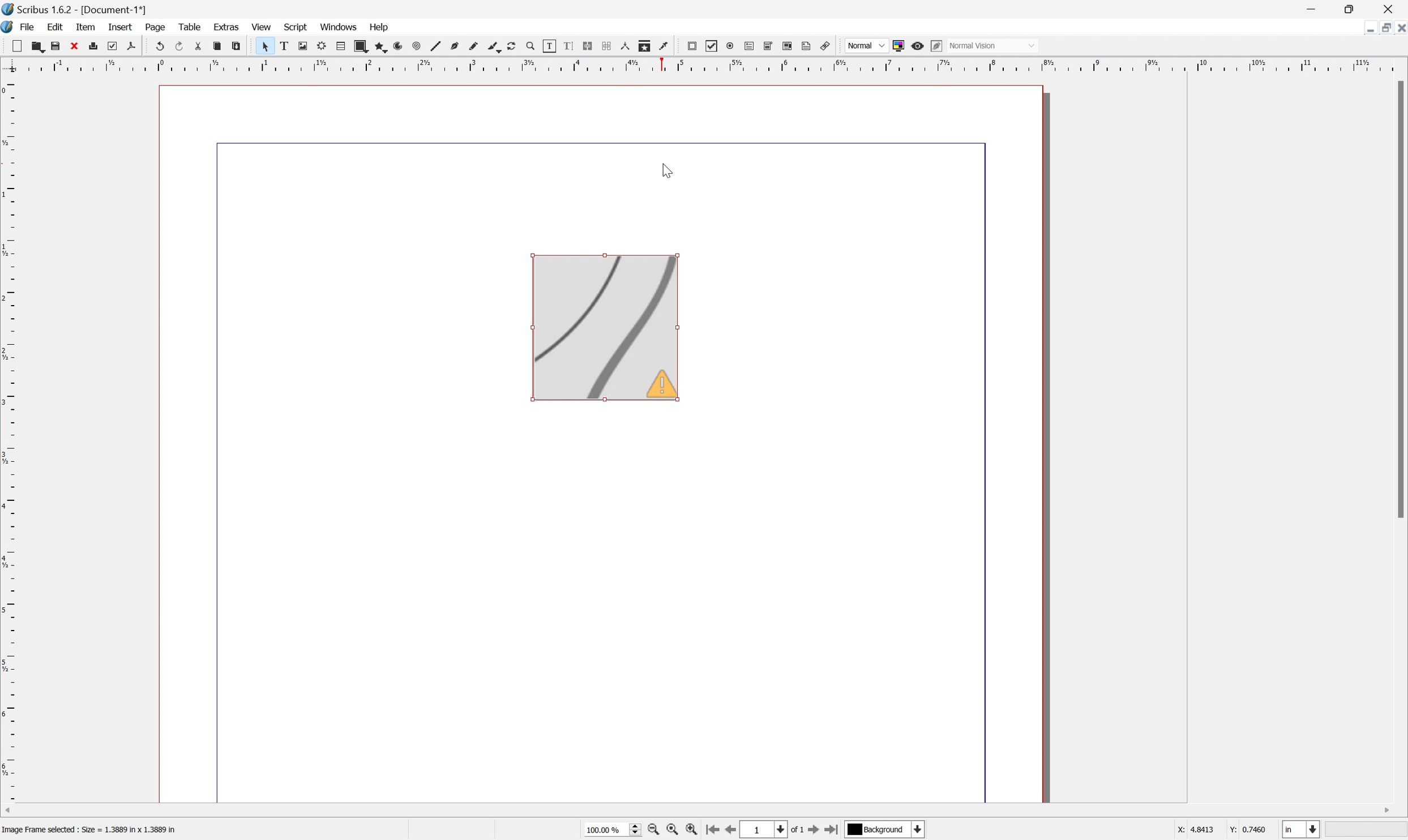 This screenshot has height=840, width=1408. Describe the element at coordinates (865, 46) in the screenshot. I see `Normal` at that location.